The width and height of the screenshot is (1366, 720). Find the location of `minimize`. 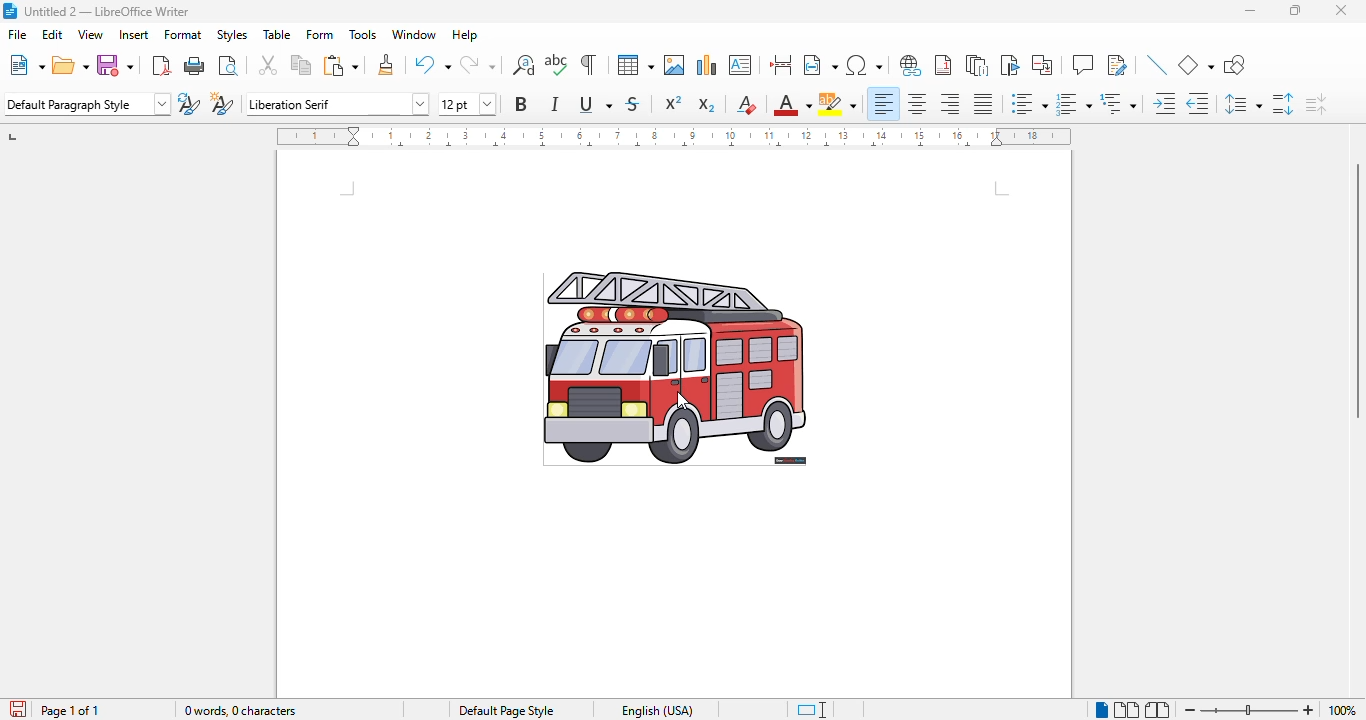

minimize is located at coordinates (1251, 10).